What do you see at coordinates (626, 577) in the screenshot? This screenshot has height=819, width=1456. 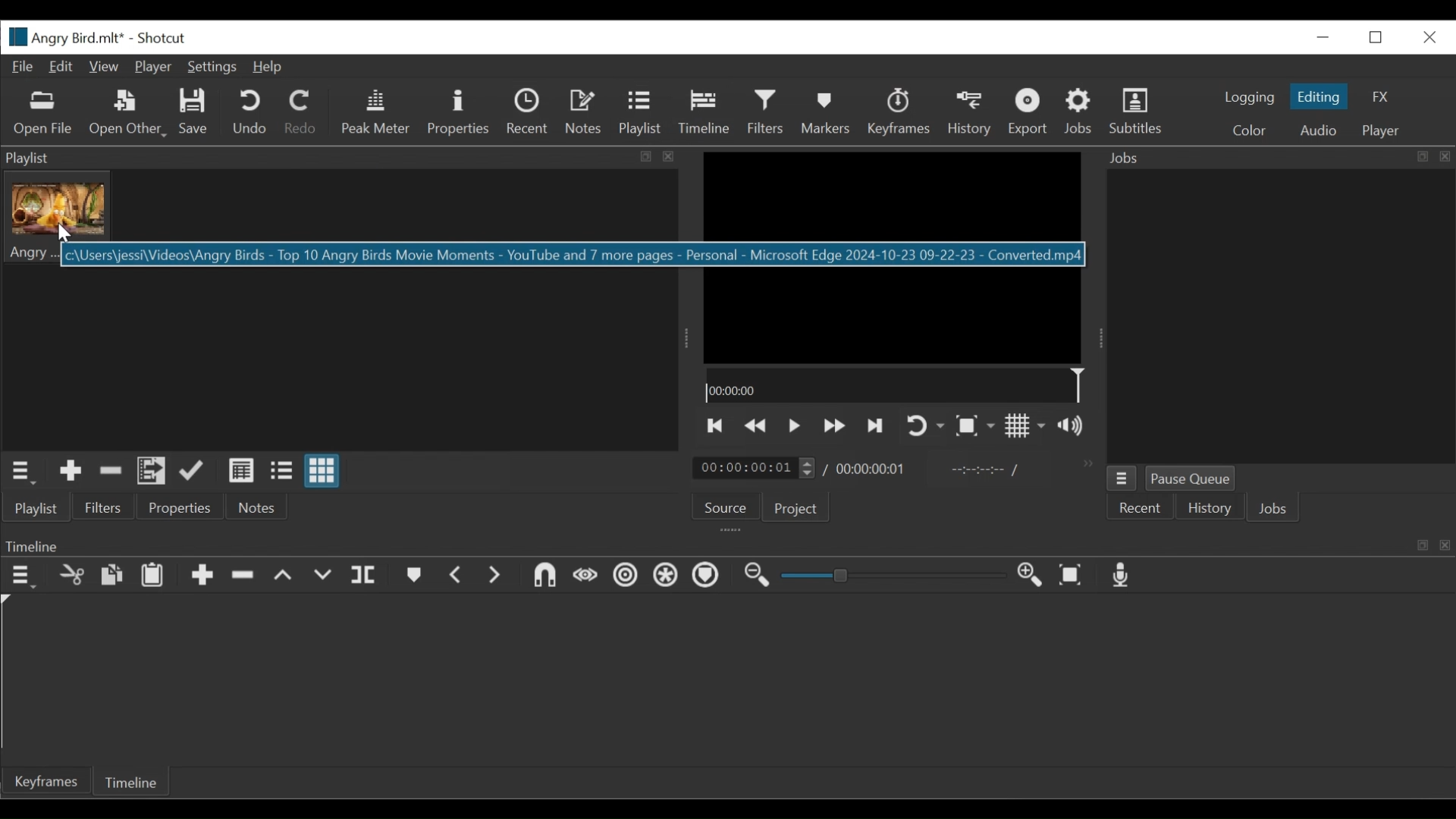 I see `Ripple` at bounding box center [626, 577].